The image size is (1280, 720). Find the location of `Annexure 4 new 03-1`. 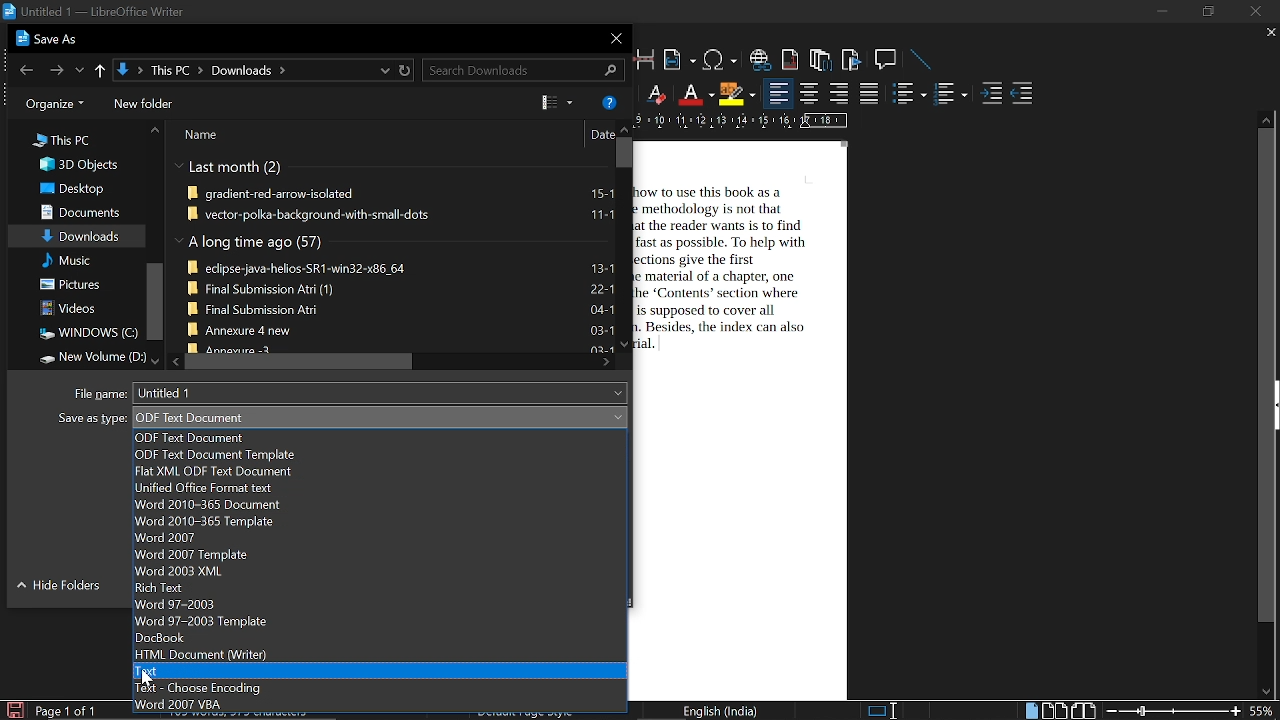

Annexure 4 new 03-1 is located at coordinates (400, 329).